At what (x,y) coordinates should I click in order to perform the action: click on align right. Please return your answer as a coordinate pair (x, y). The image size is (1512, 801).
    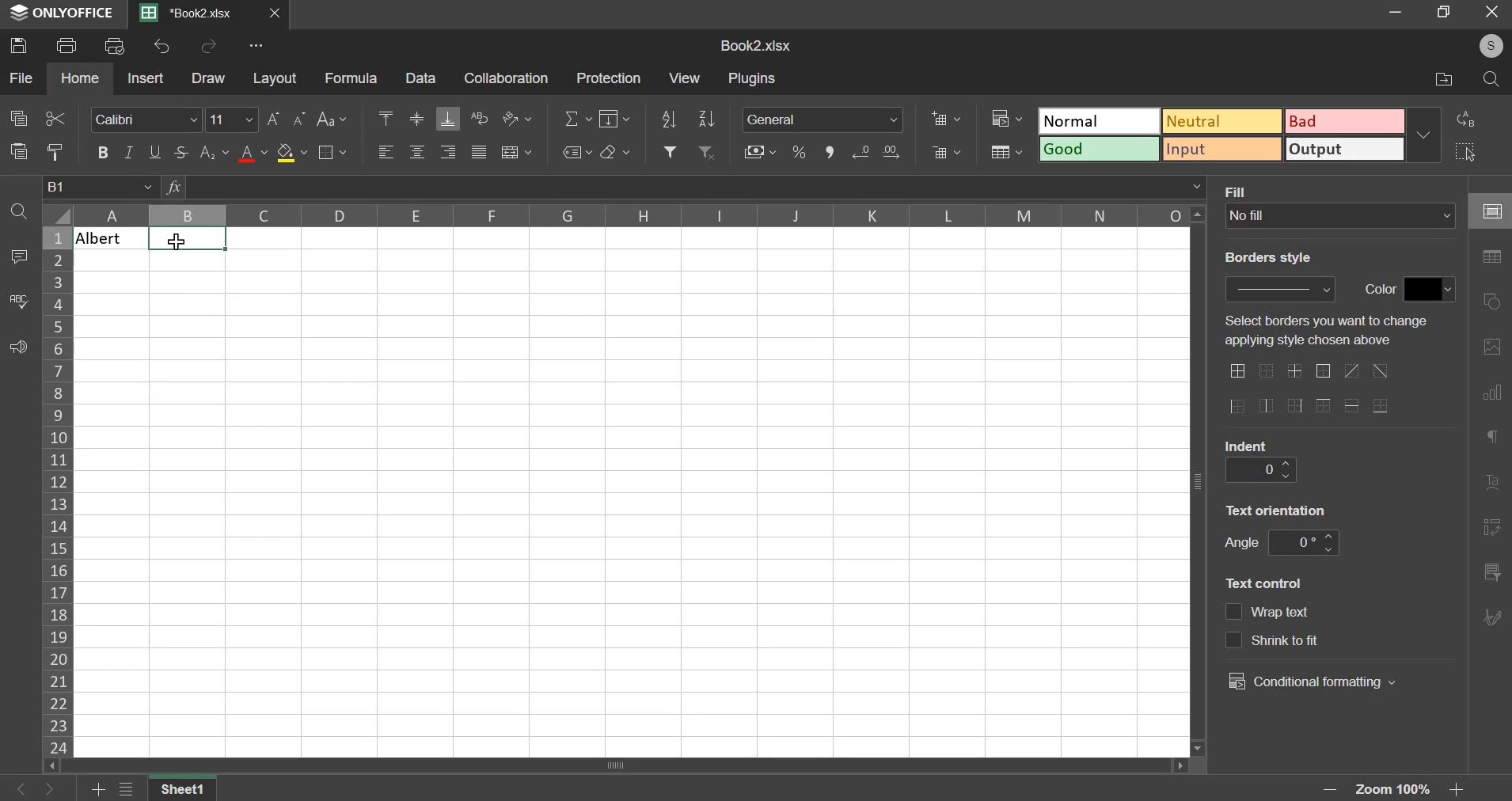
    Looking at the image, I should click on (450, 152).